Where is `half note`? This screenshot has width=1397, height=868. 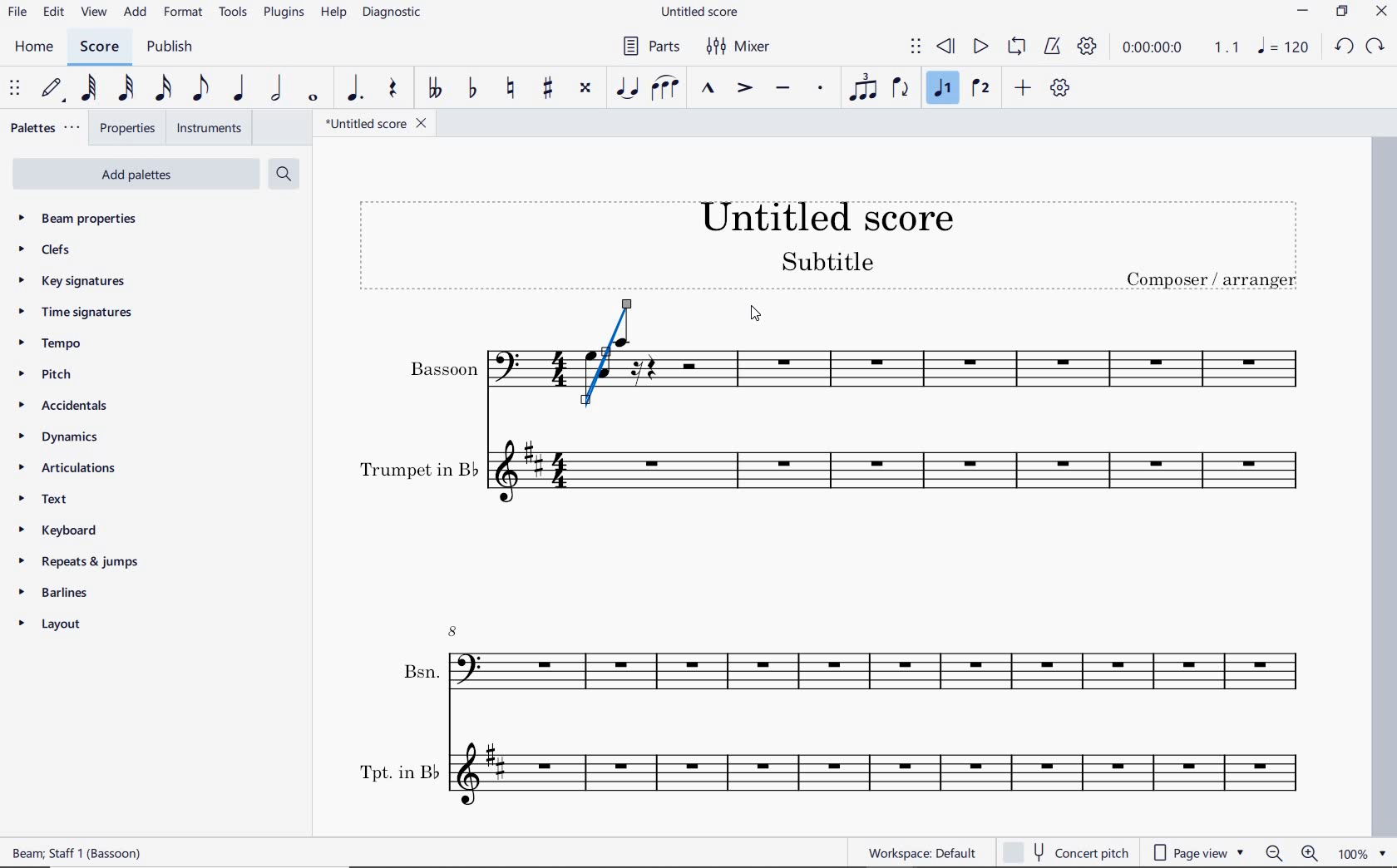
half note is located at coordinates (278, 90).